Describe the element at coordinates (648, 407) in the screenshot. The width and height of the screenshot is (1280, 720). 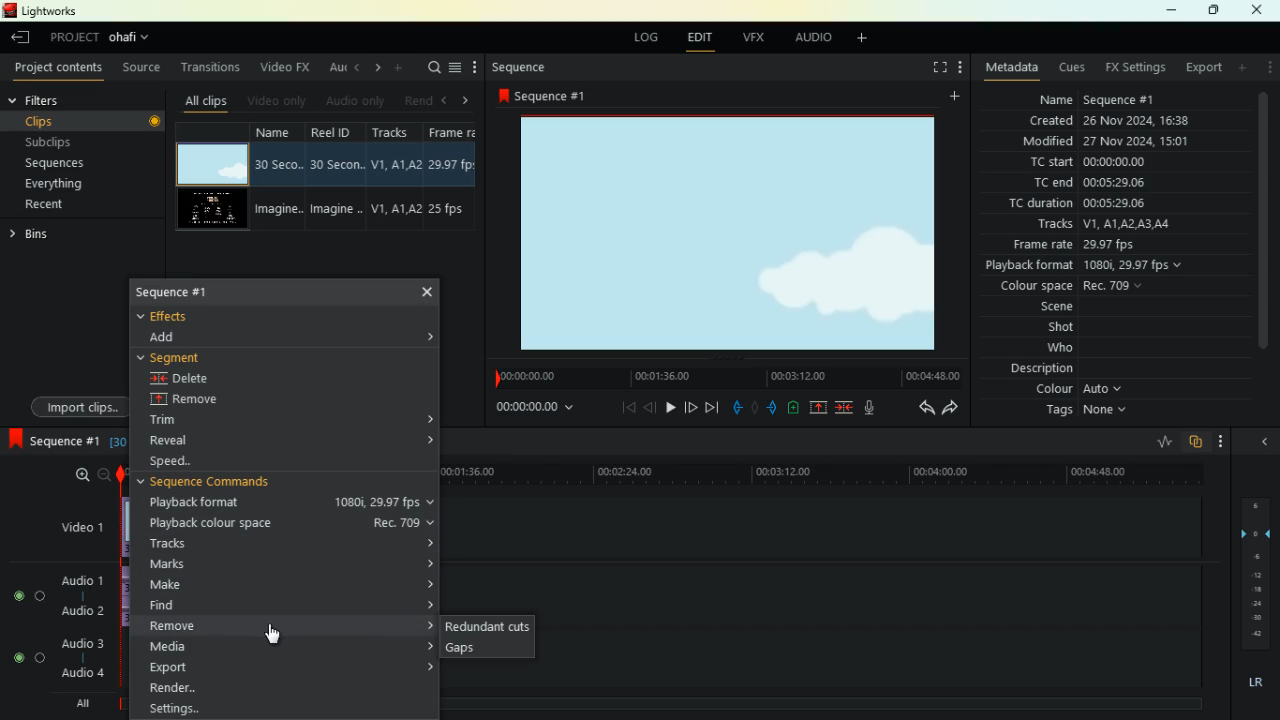
I see `back` at that location.